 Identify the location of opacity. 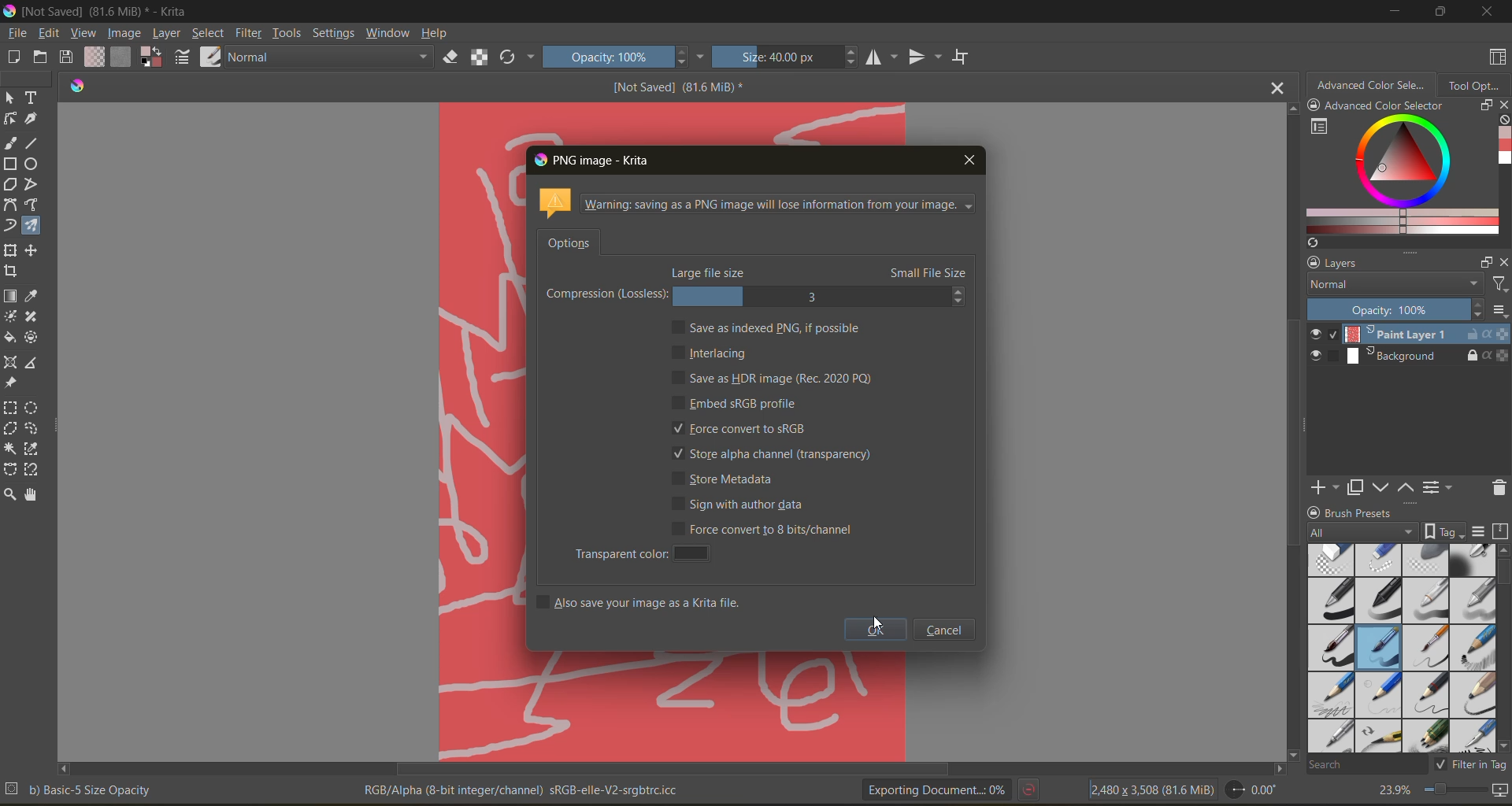
(1408, 310).